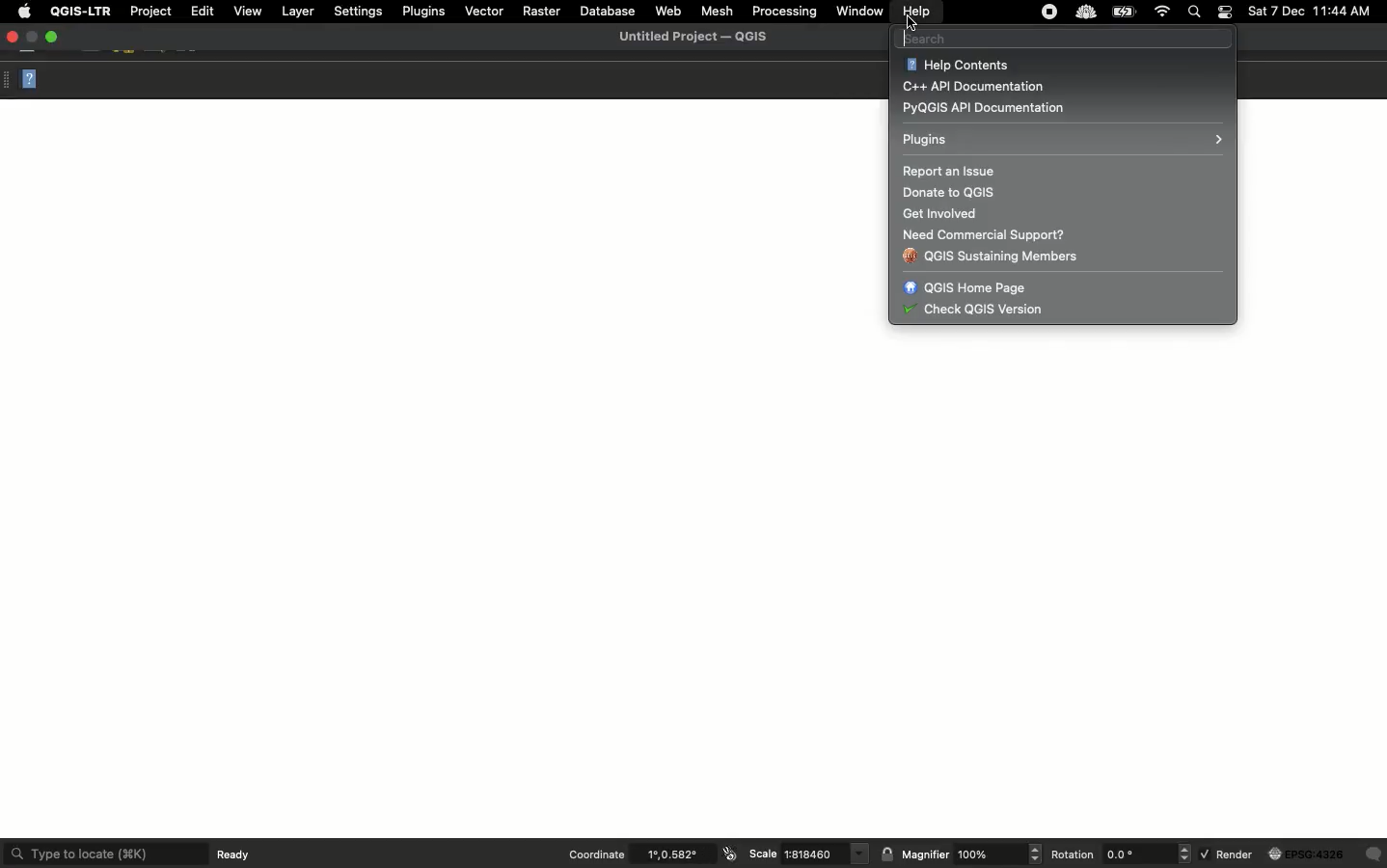  What do you see at coordinates (80, 12) in the screenshot?
I see `QGIS` at bounding box center [80, 12].